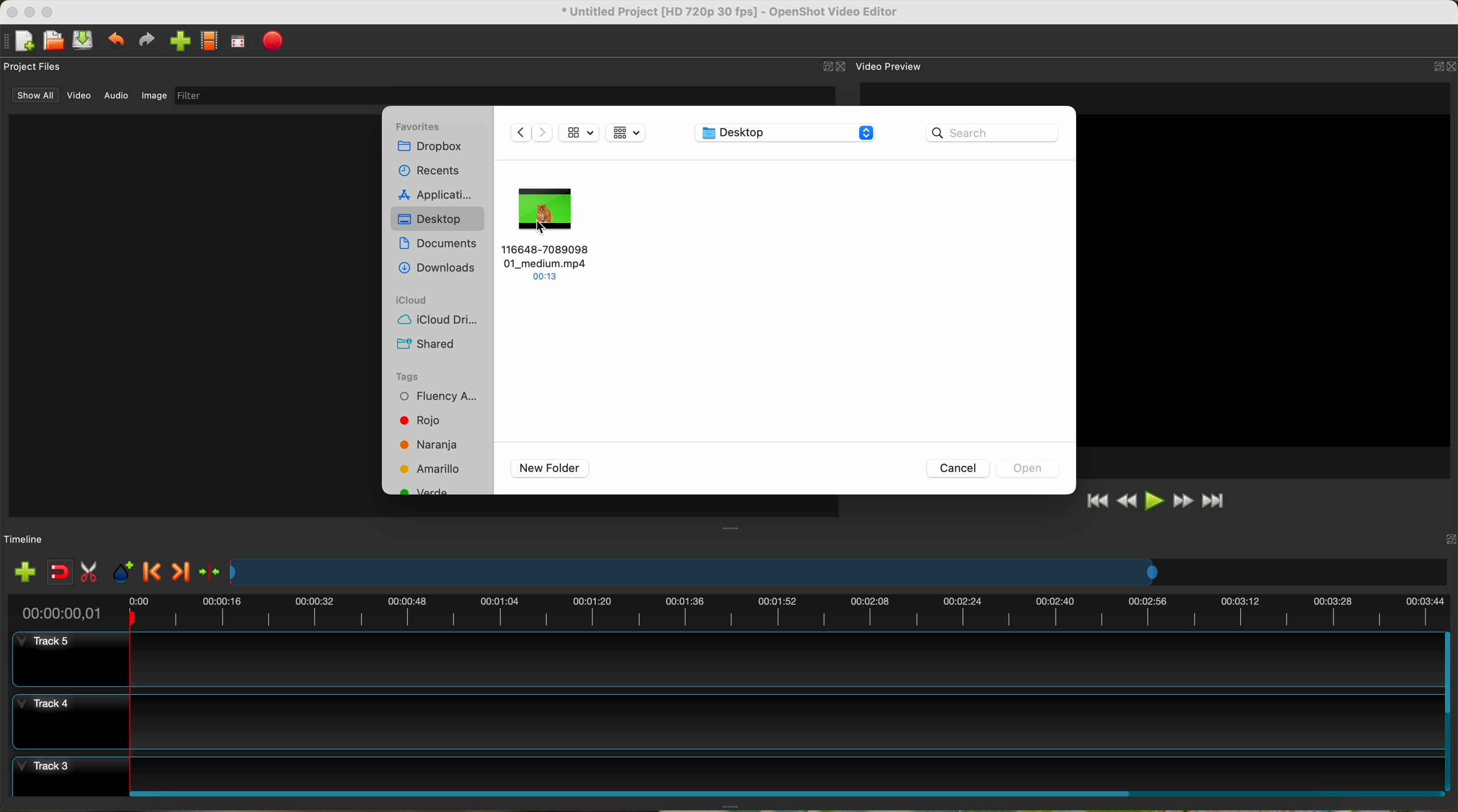 This screenshot has width=1458, height=812. Describe the element at coordinates (1128, 501) in the screenshot. I see `rewind` at that location.